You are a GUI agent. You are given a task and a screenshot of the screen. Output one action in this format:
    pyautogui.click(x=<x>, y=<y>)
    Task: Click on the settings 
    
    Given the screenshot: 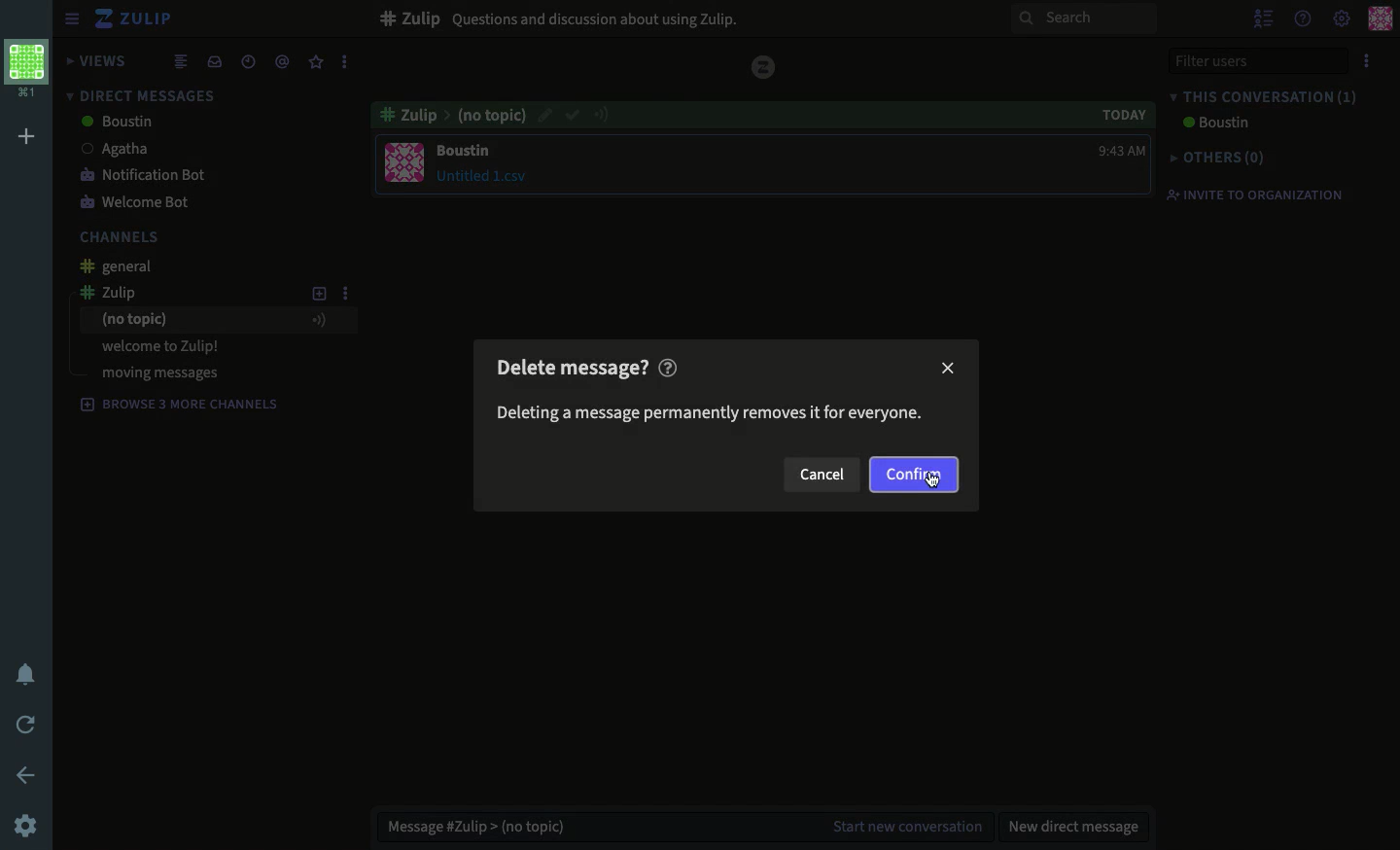 What is the action you would take?
    pyautogui.click(x=1342, y=20)
    